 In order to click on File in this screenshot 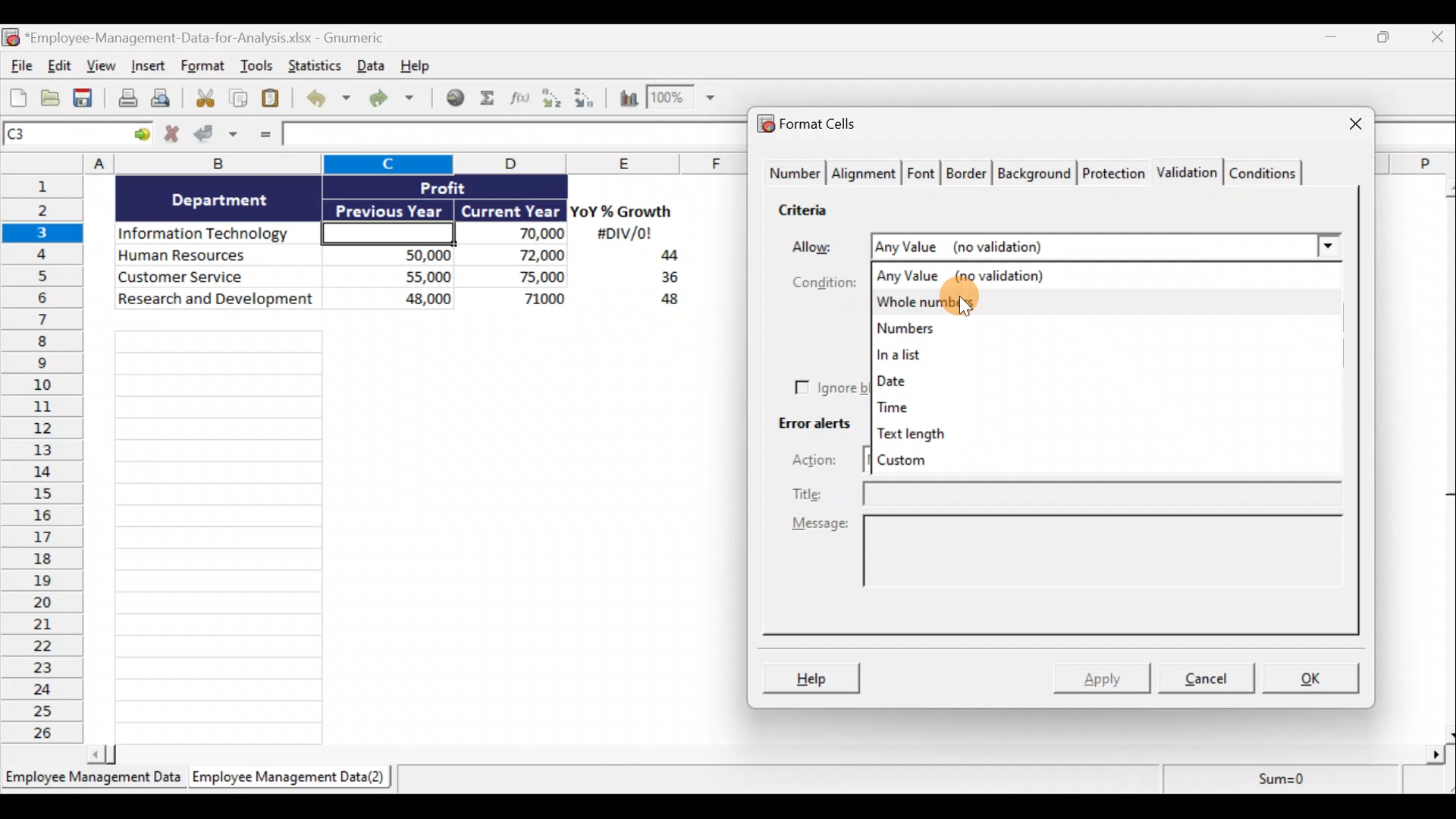, I will do `click(18, 67)`.